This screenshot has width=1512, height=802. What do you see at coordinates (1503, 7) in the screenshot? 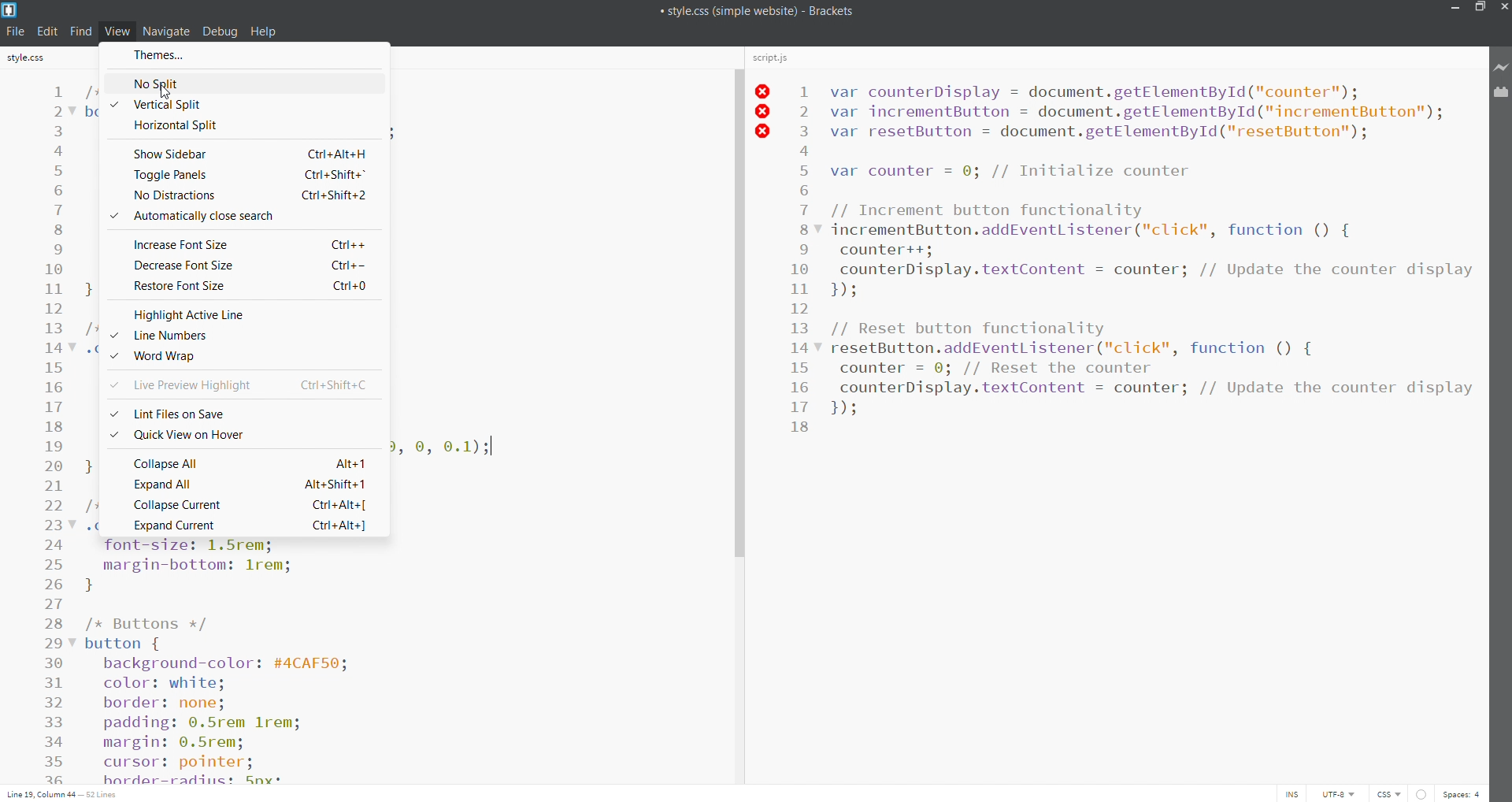
I see `close` at bounding box center [1503, 7].